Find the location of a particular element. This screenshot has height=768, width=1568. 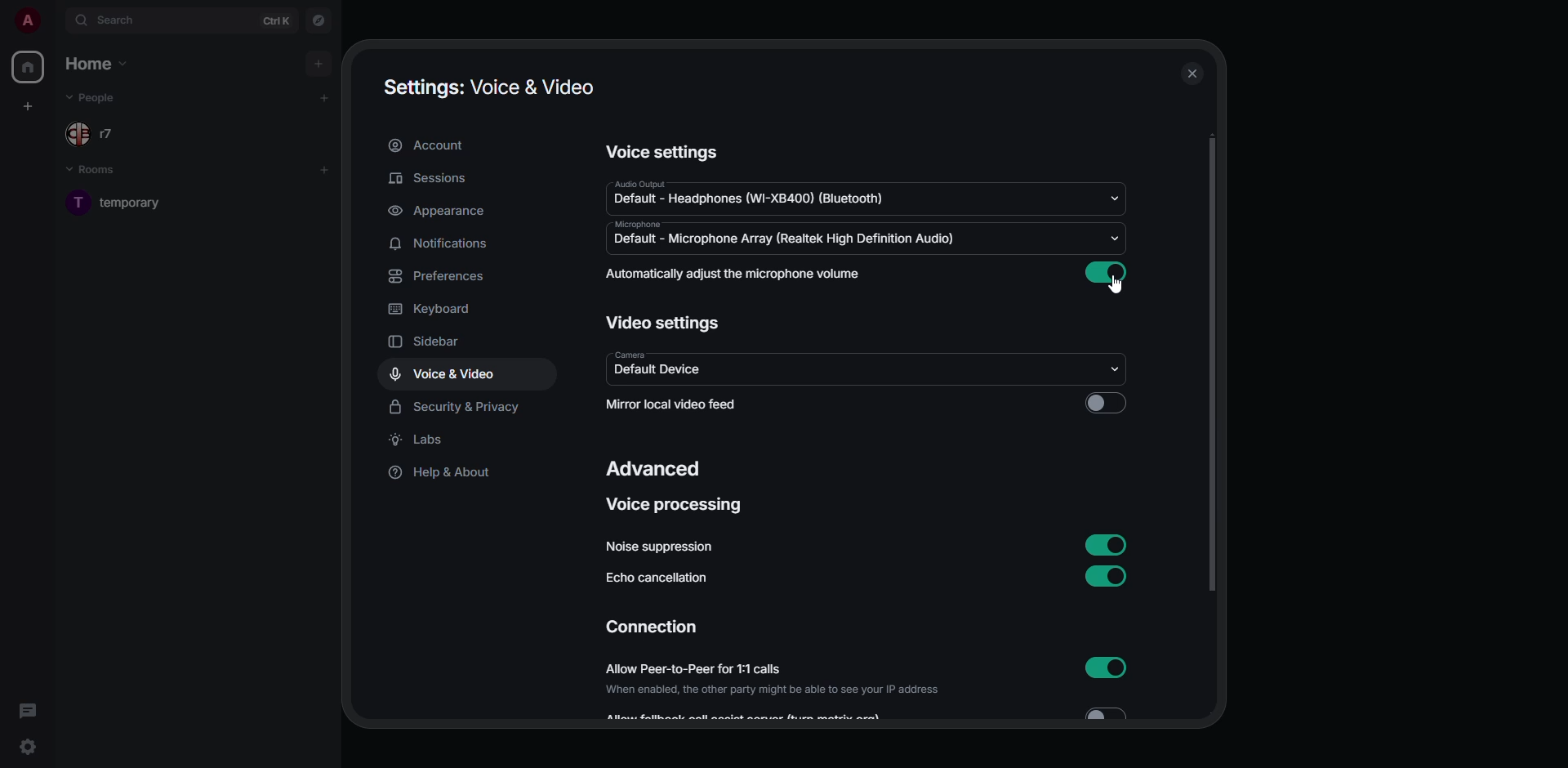

T temporary is located at coordinates (128, 206).